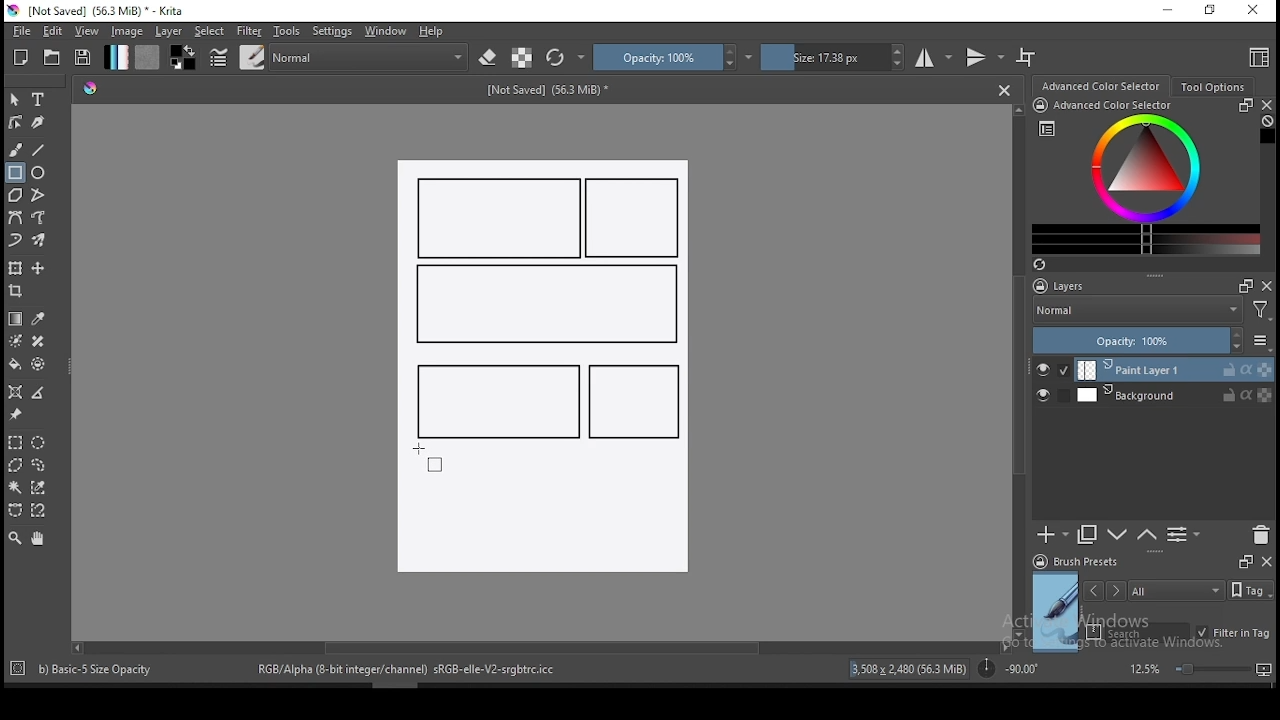 The image size is (1280, 720). What do you see at coordinates (15, 241) in the screenshot?
I see `dynamic brush tool` at bounding box center [15, 241].